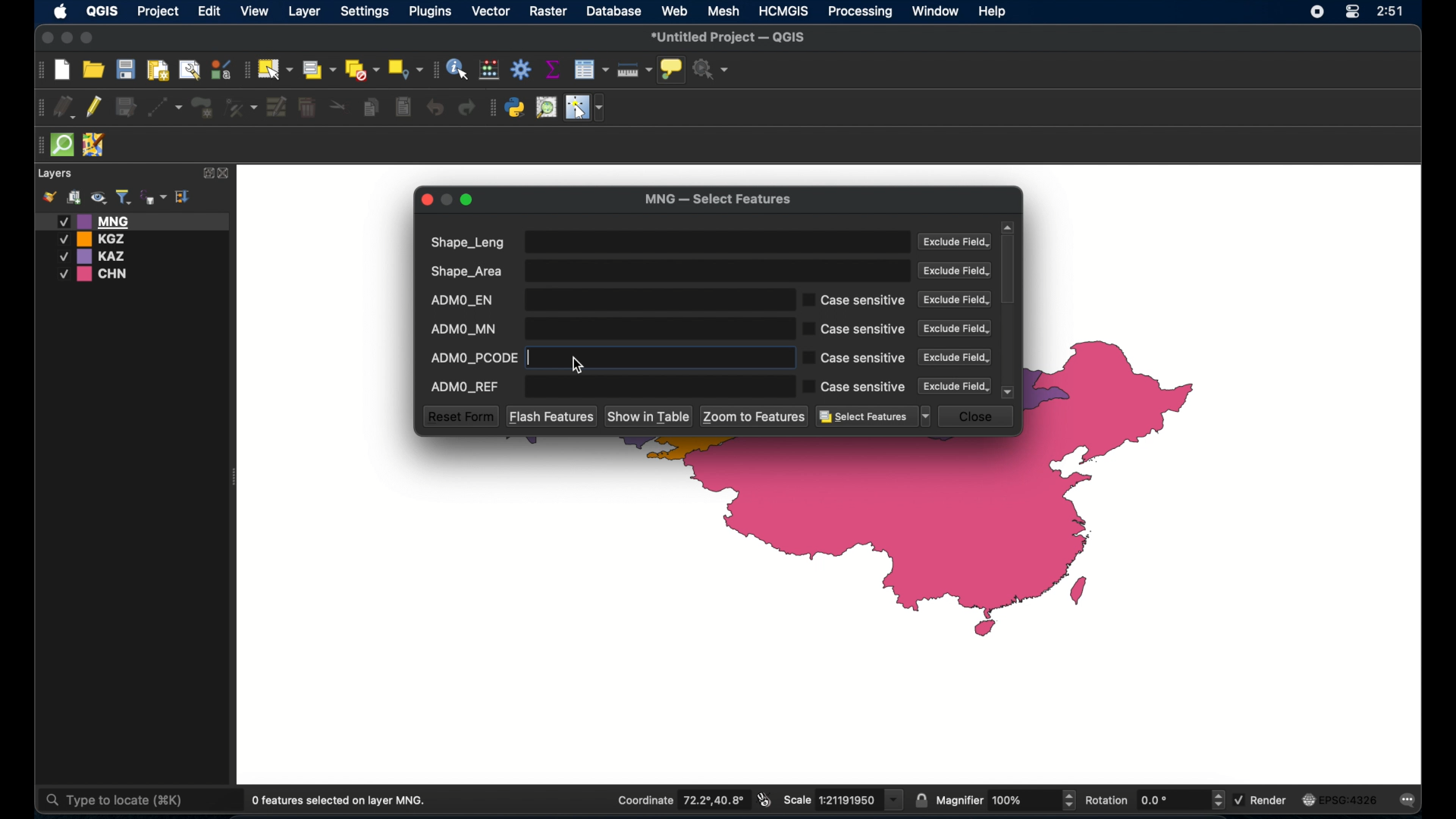 Image resolution: width=1456 pixels, height=819 pixels. I want to click on switches mouse to configurable pointer, so click(585, 108).